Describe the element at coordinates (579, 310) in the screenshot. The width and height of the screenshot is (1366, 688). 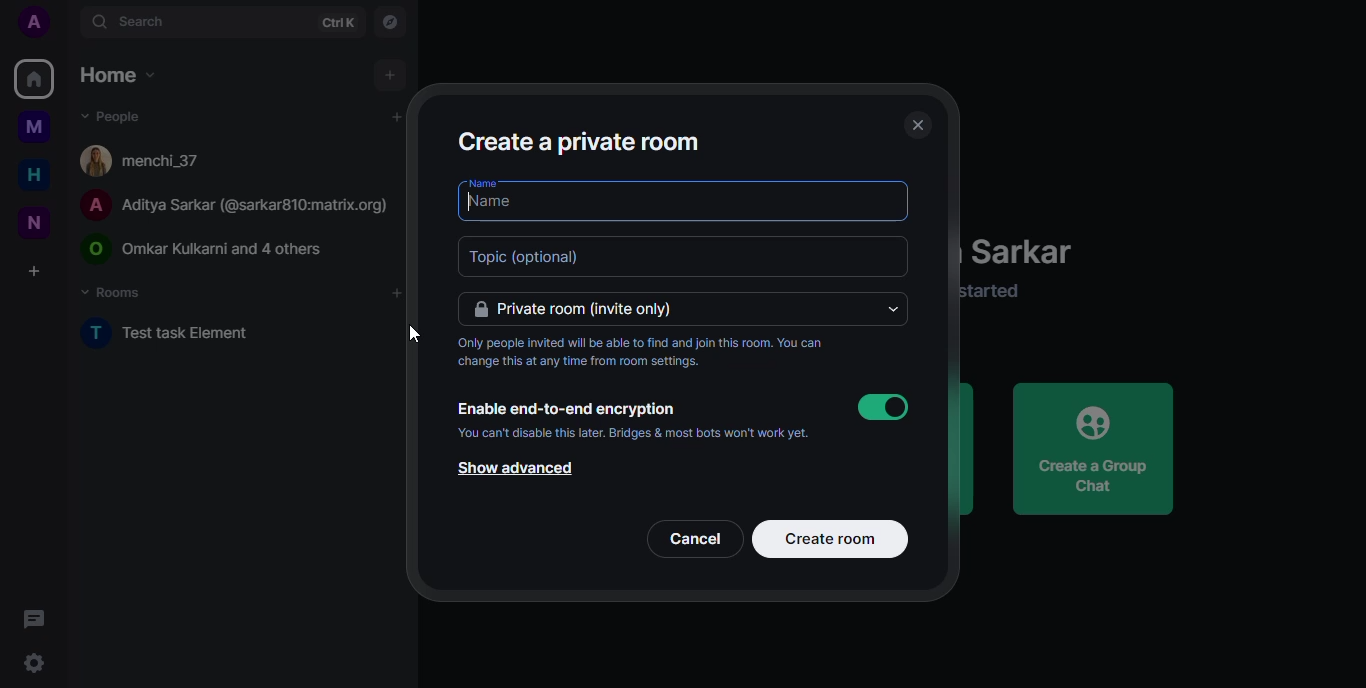
I see `private room (invite only)` at that location.